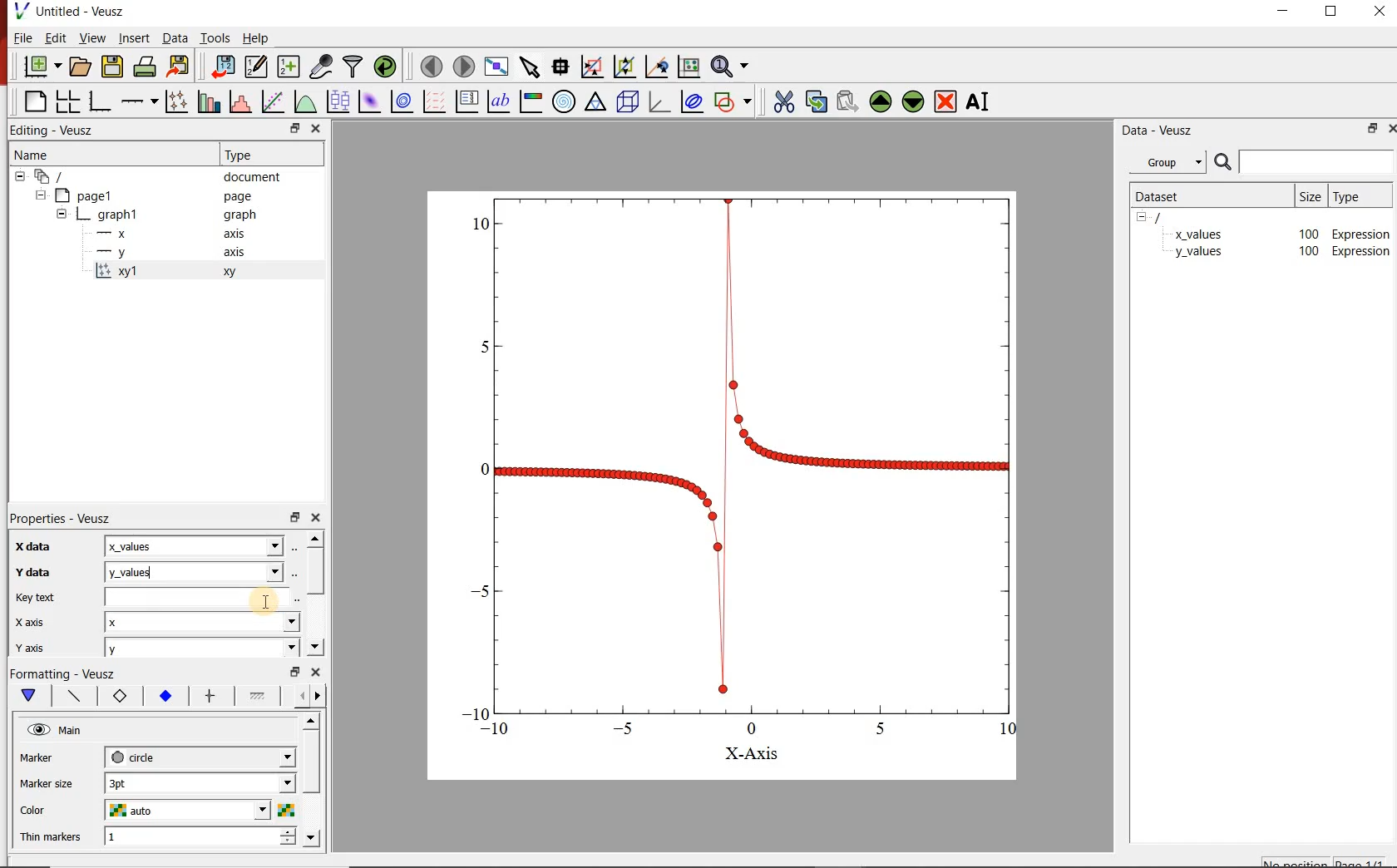 Image resolution: width=1397 pixels, height=868 pixels. Describe the element at coordinates (145, 67) in the screenshot. I see `print the documents` at that location.